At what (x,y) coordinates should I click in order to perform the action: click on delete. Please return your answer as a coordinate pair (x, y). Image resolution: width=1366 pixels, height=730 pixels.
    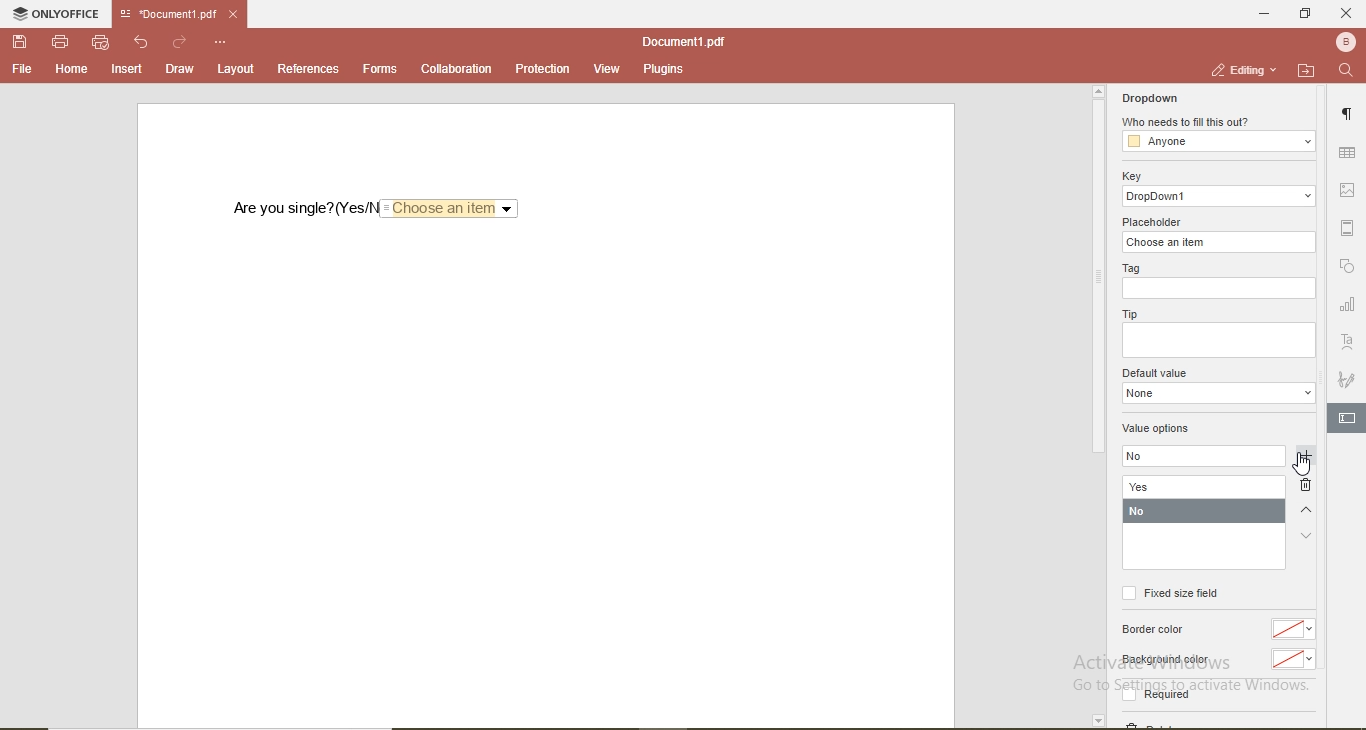
    Looking at the image, I should click on (1307, 486).